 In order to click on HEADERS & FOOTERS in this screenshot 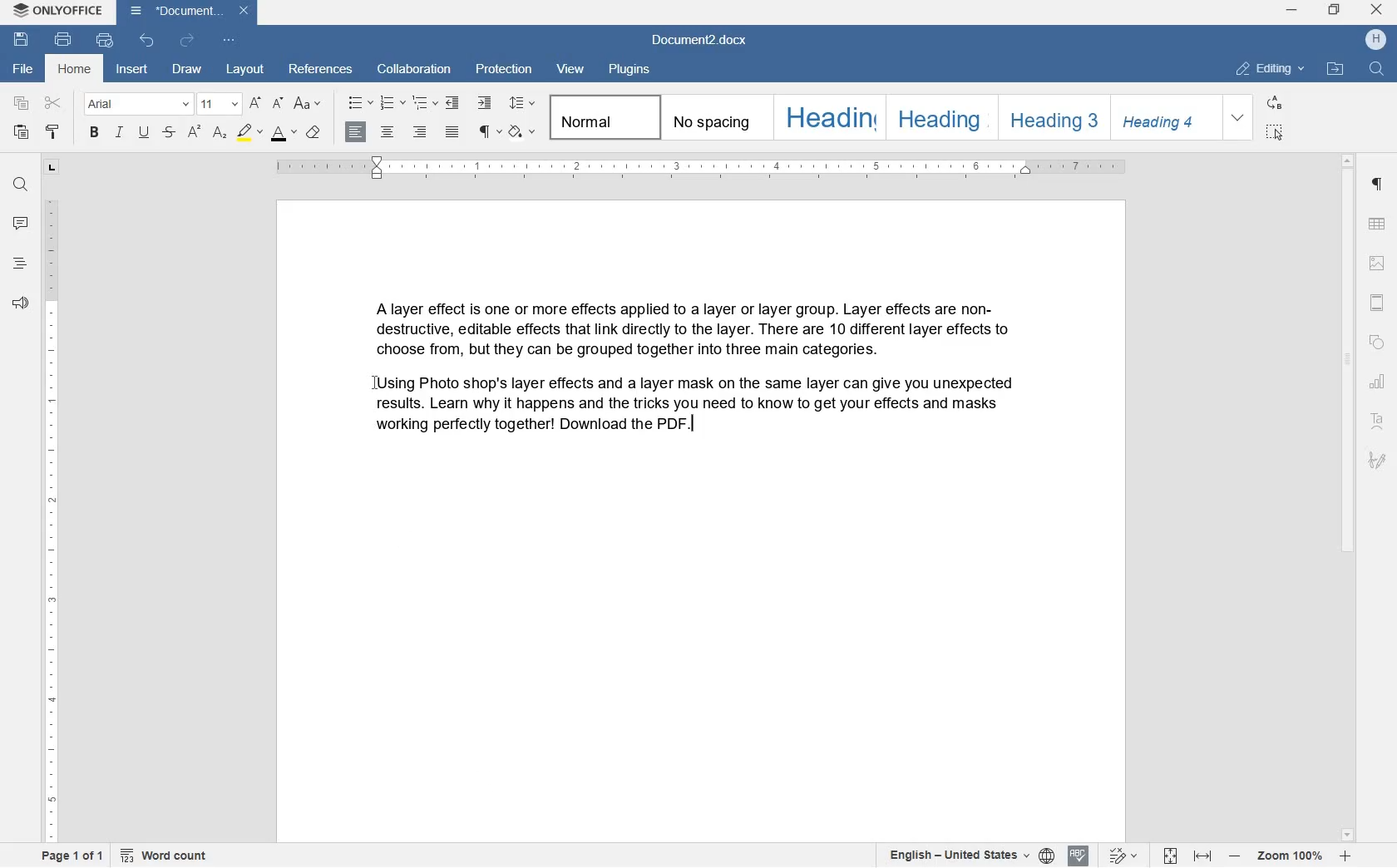, I will do `click(1378, 305)`.